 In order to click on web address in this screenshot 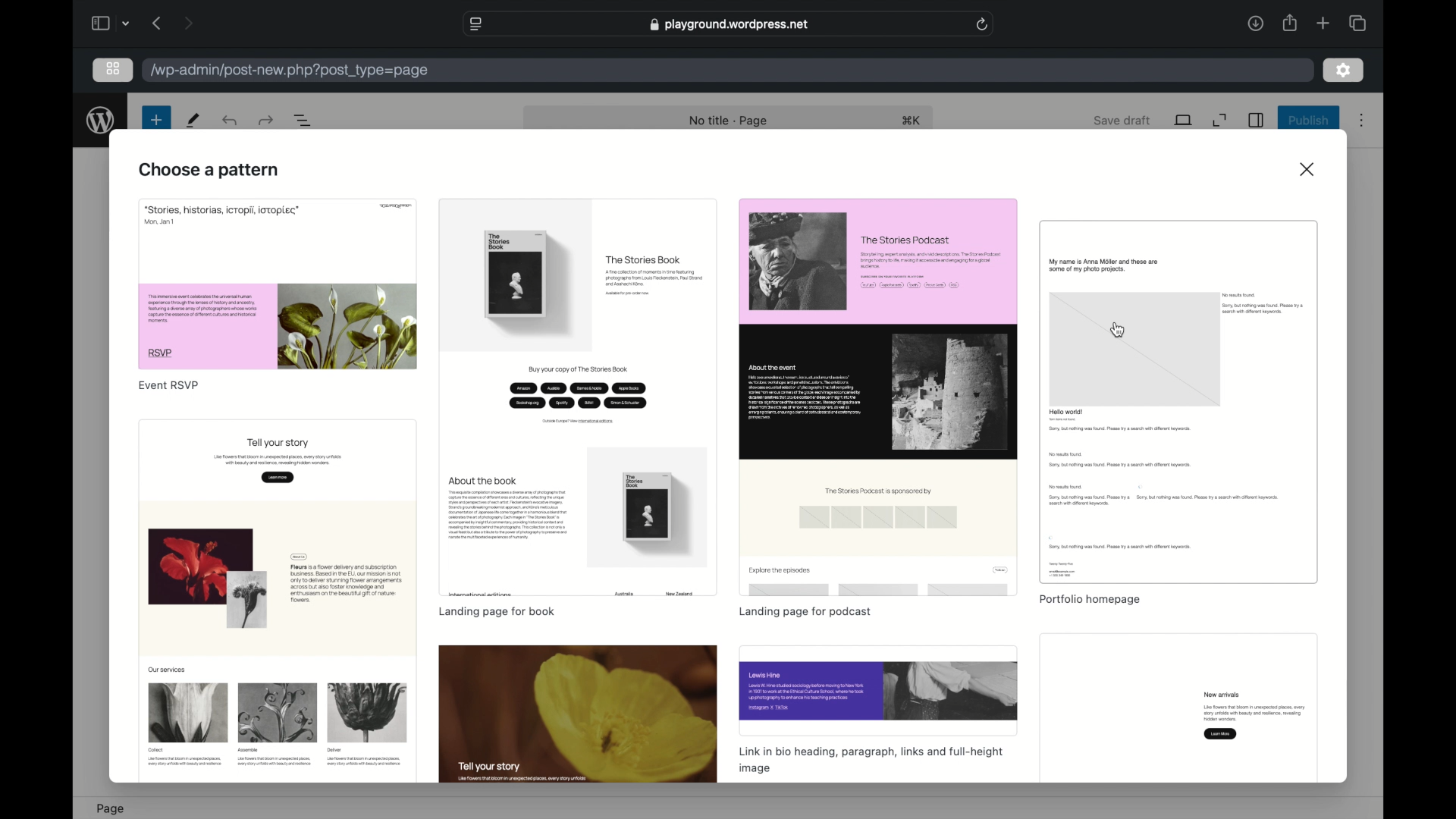, I will do `click(730, 24)`.